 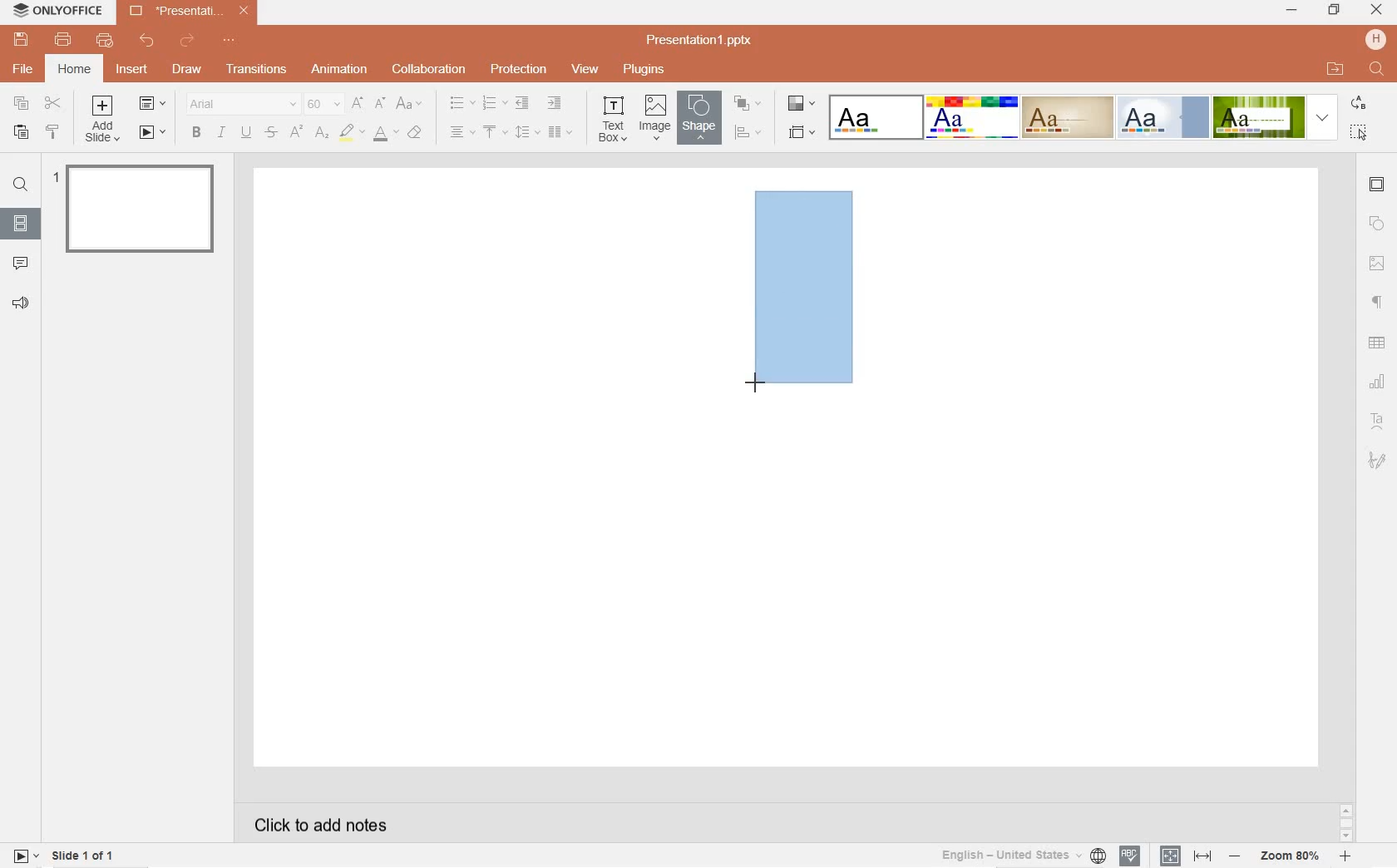 I want to click on numbering, so click(x=493, y=104).